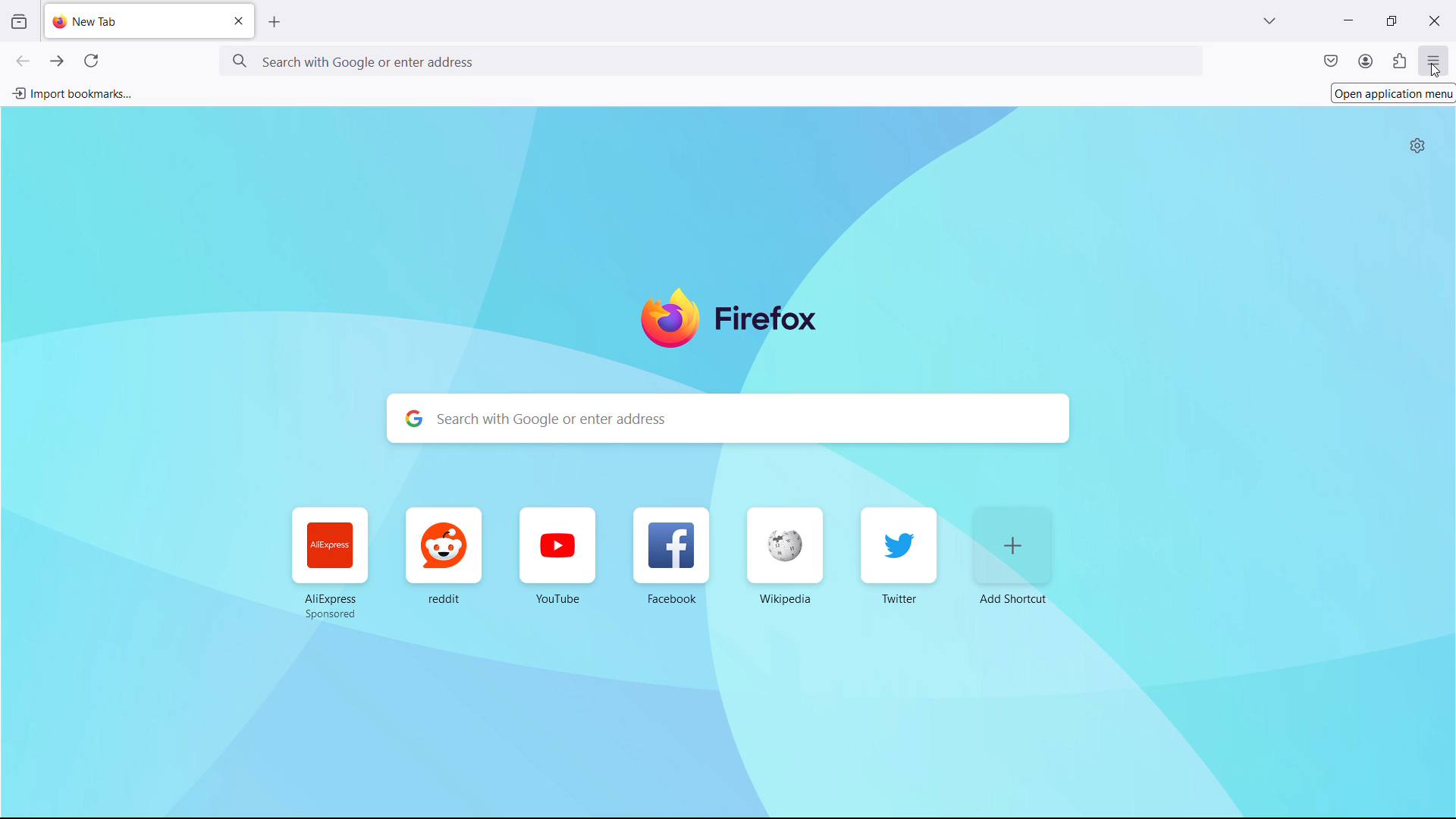  What do you see at coordinates (563, 555) in the screenshot?
I see `YouTube` at bounding box center [563, 555].